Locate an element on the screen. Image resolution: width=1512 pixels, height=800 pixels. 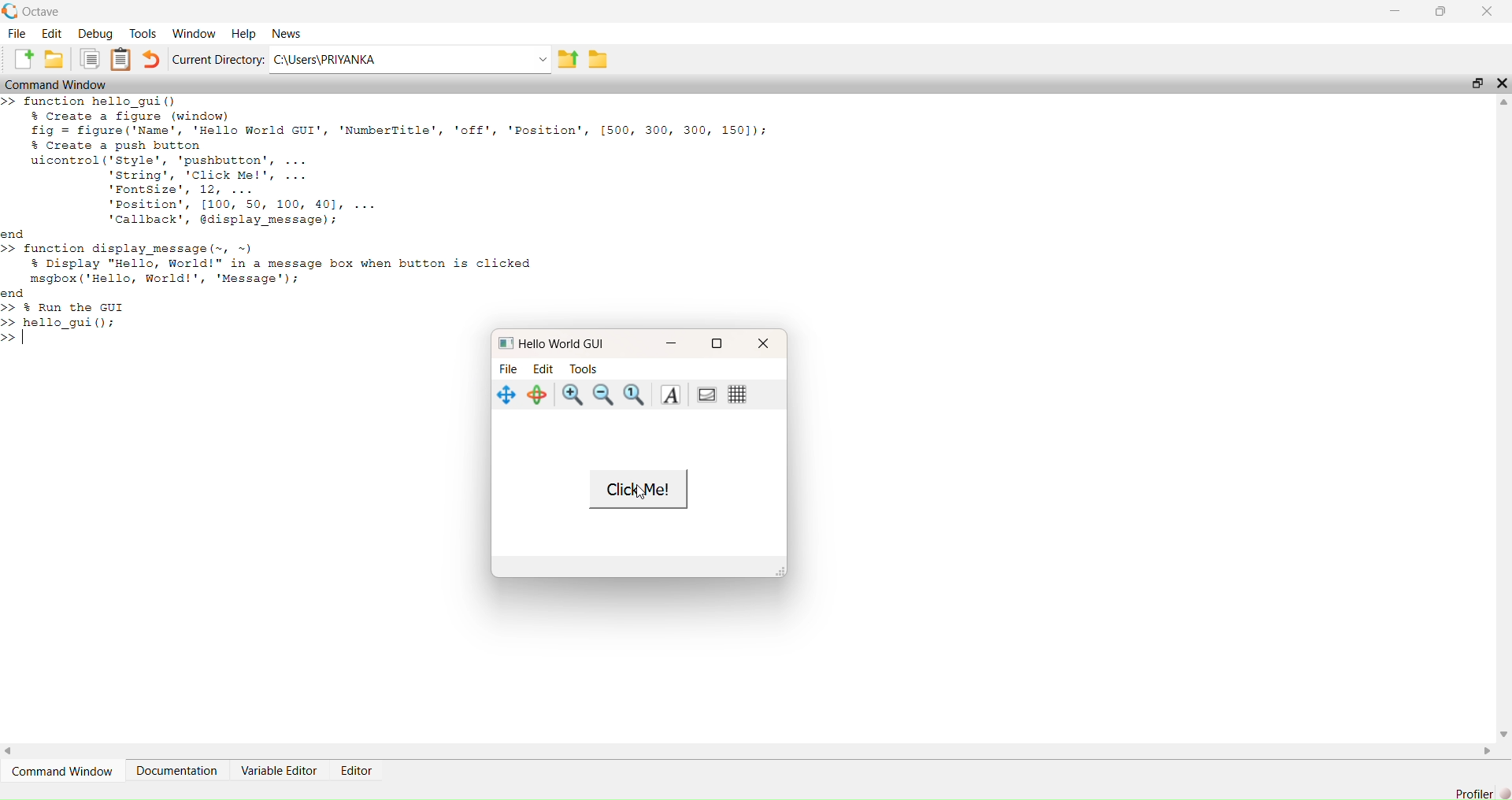
‘Current Directory: is located at coordinates (216, 61).